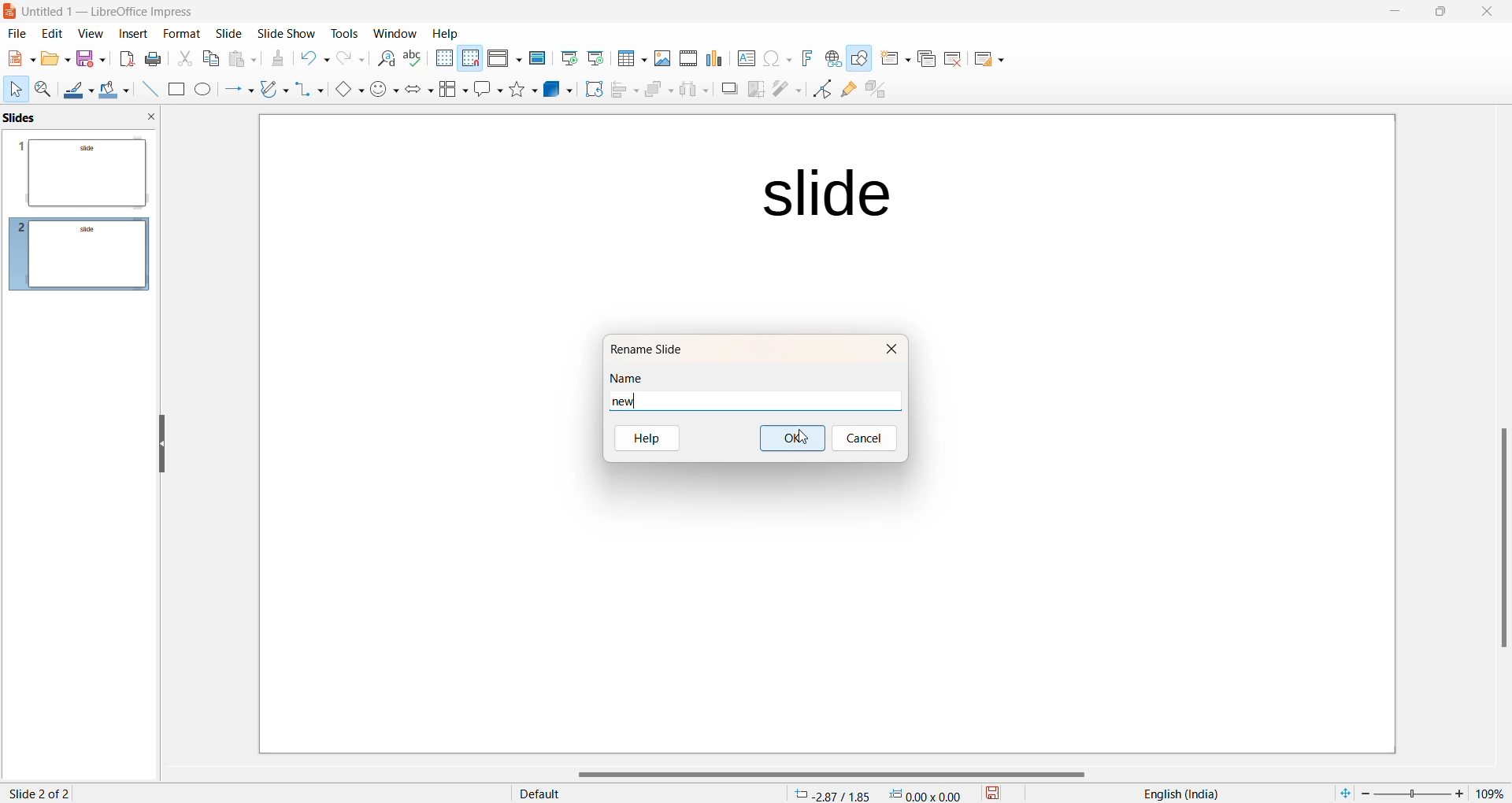 The image size is (1512, 803). I want to click on minimize, so click(1391, 13).